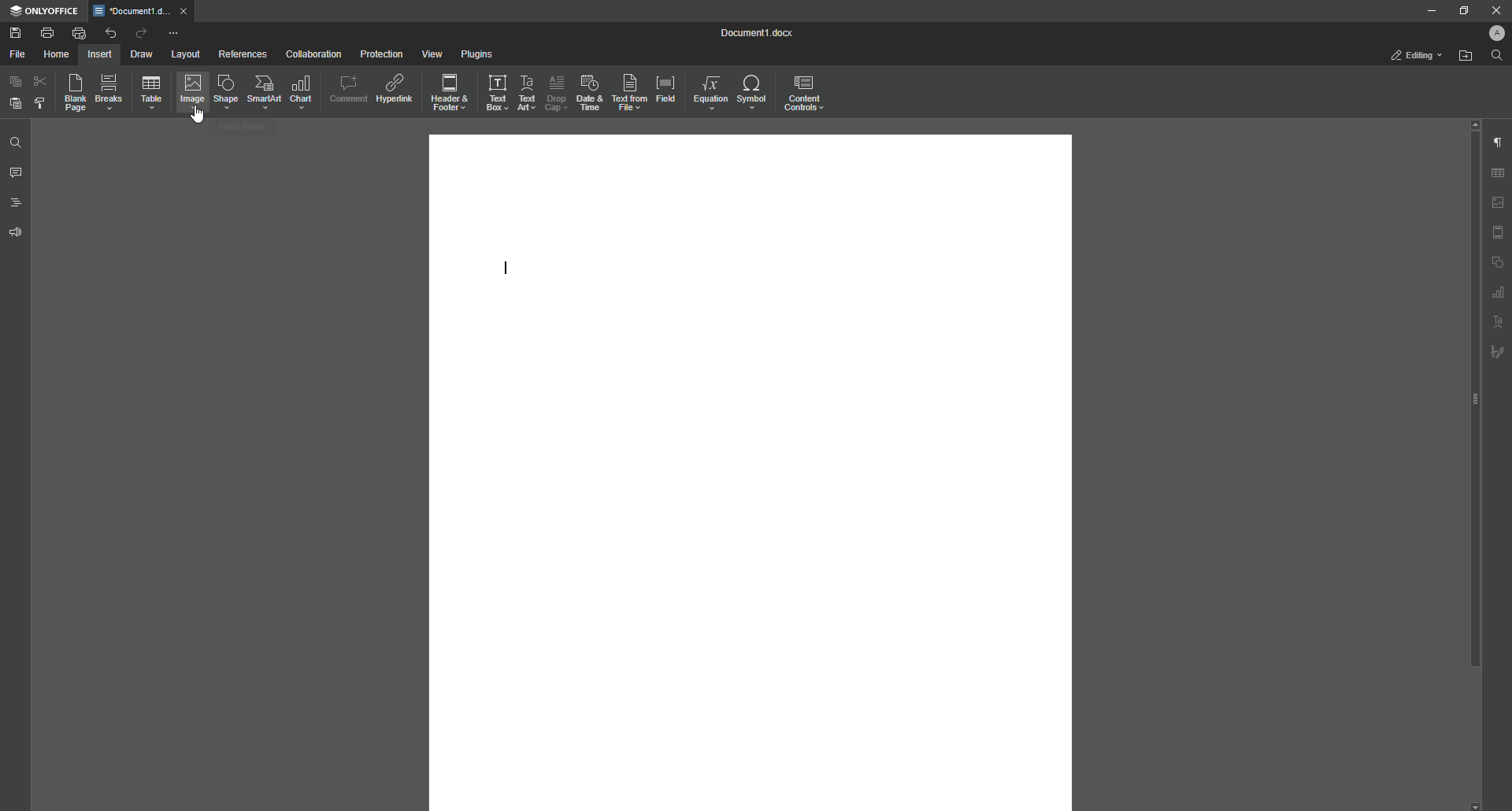 The width and height of the screenshot is (1512, 811). Describe the element at coordinates (17, 233) in the screenshot. I see `Feedback` at that location.